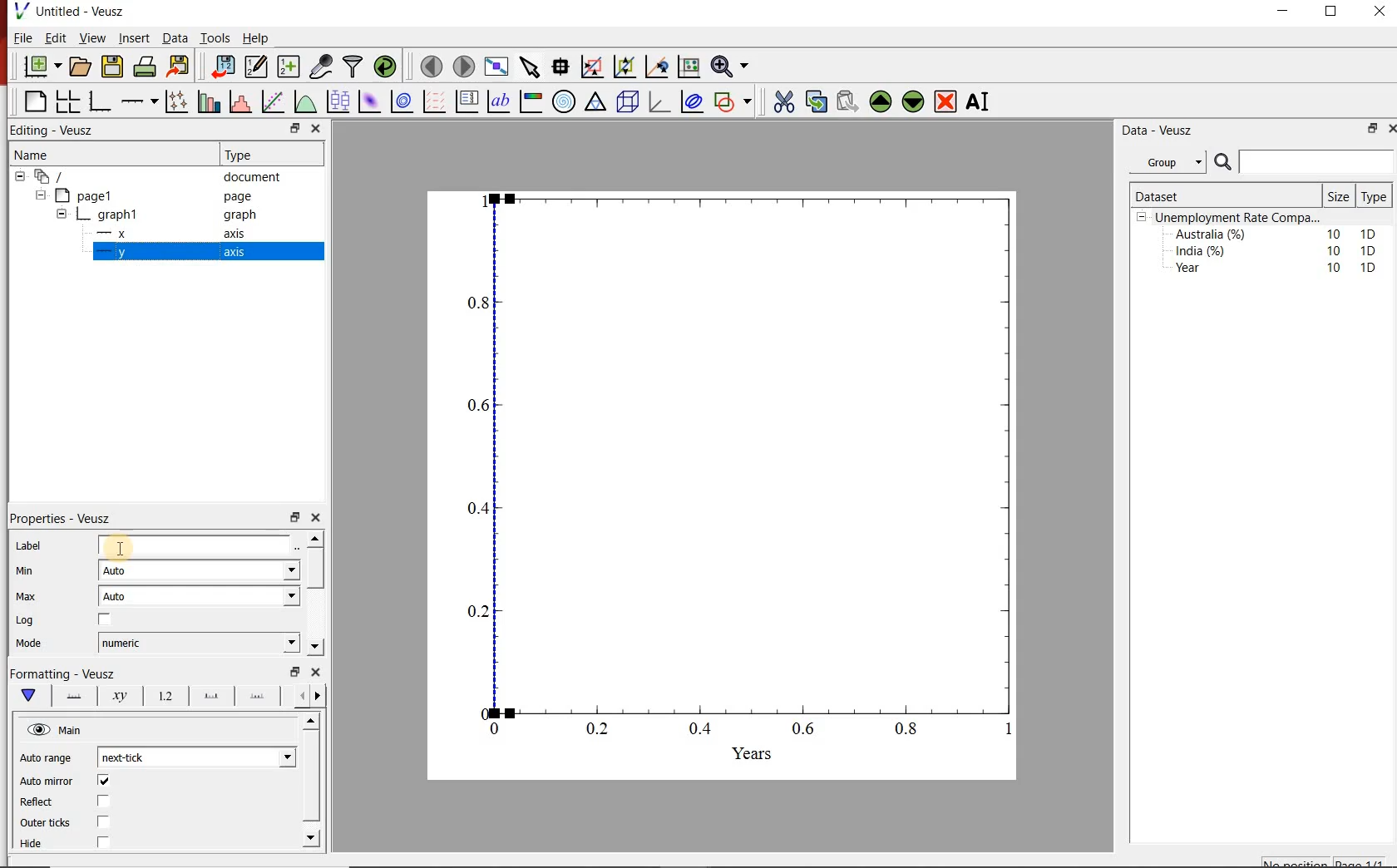 The height and width of the screenshot is (868, 1397). Describe the element at coordinates (369, 101) in the screenshot. I see `plot 2d datasets as image` at that location.